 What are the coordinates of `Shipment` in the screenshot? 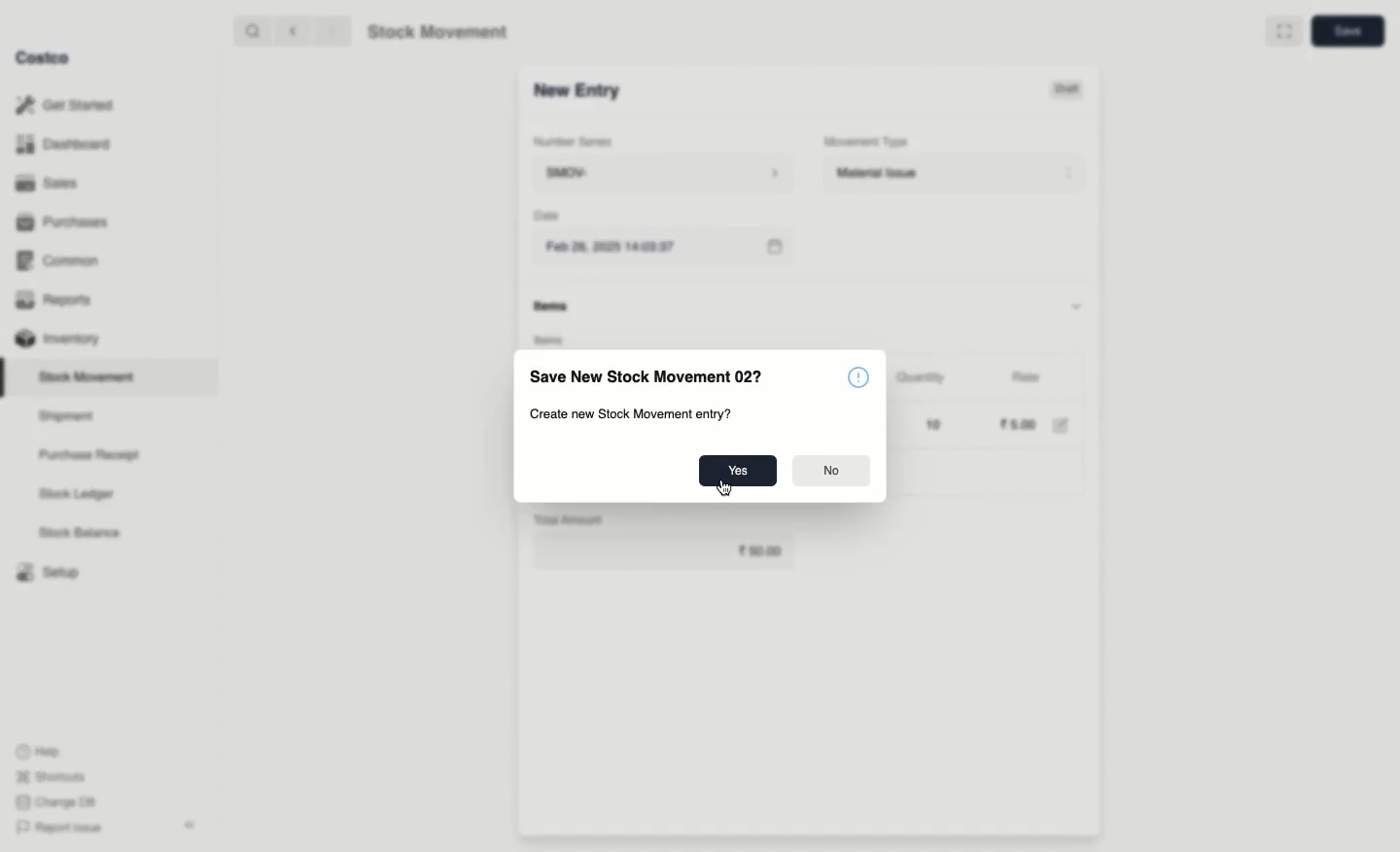 It's located at (67, 417).